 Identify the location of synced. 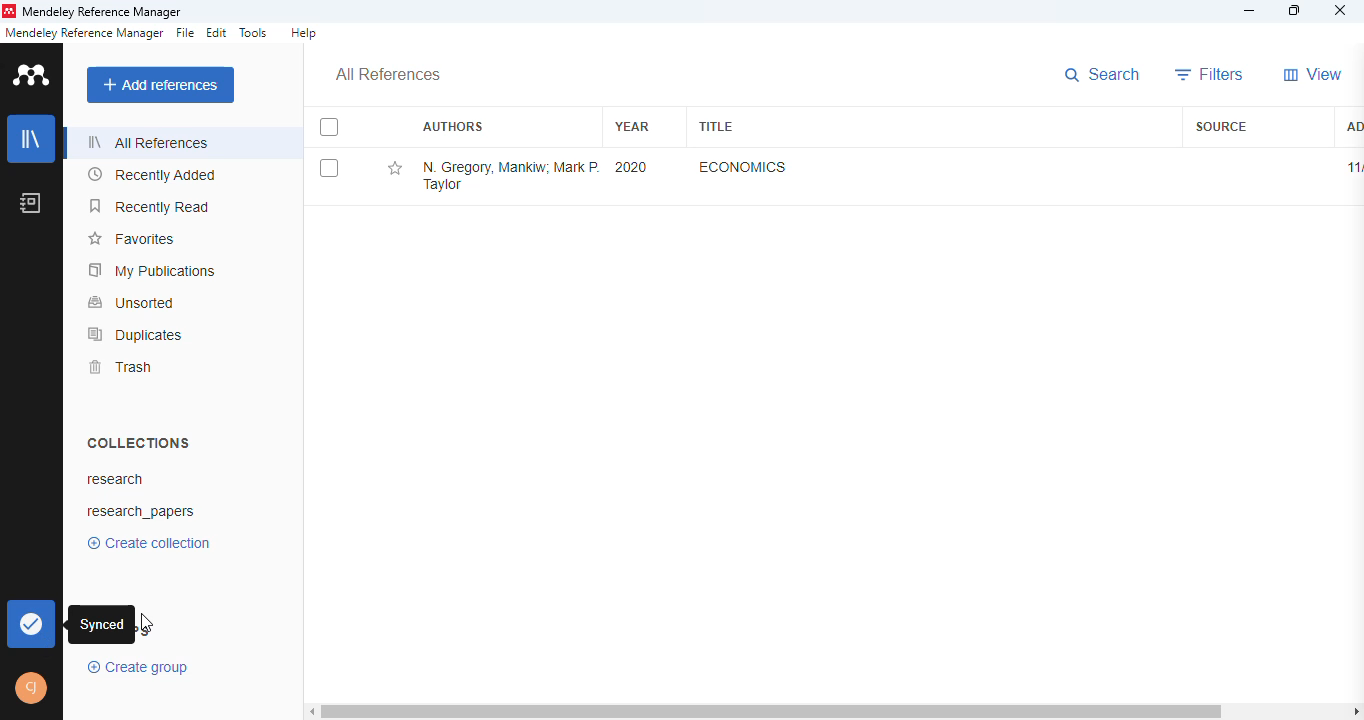
(32, 625).